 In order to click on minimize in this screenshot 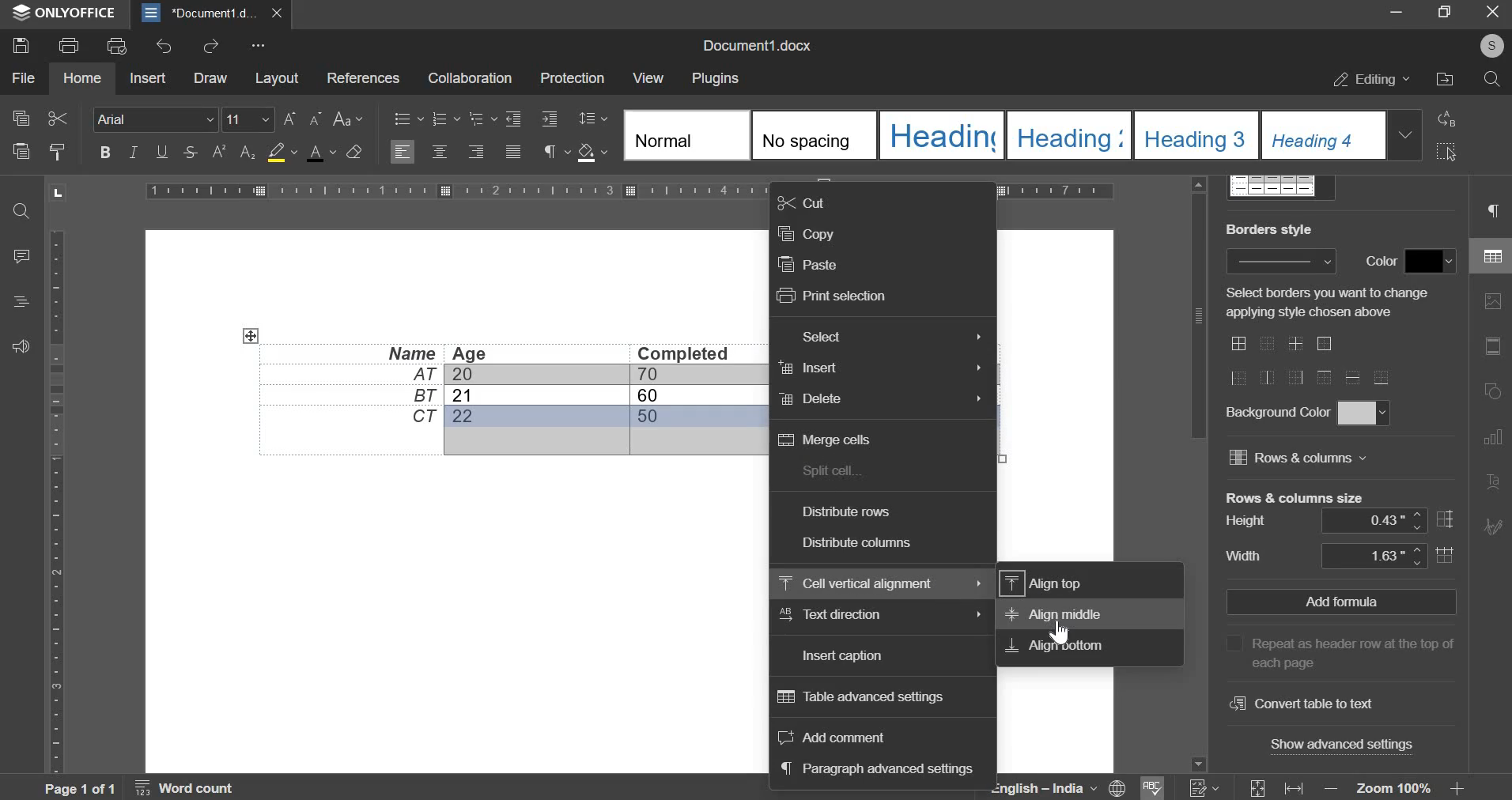, I will do `click(1397, 10)`.